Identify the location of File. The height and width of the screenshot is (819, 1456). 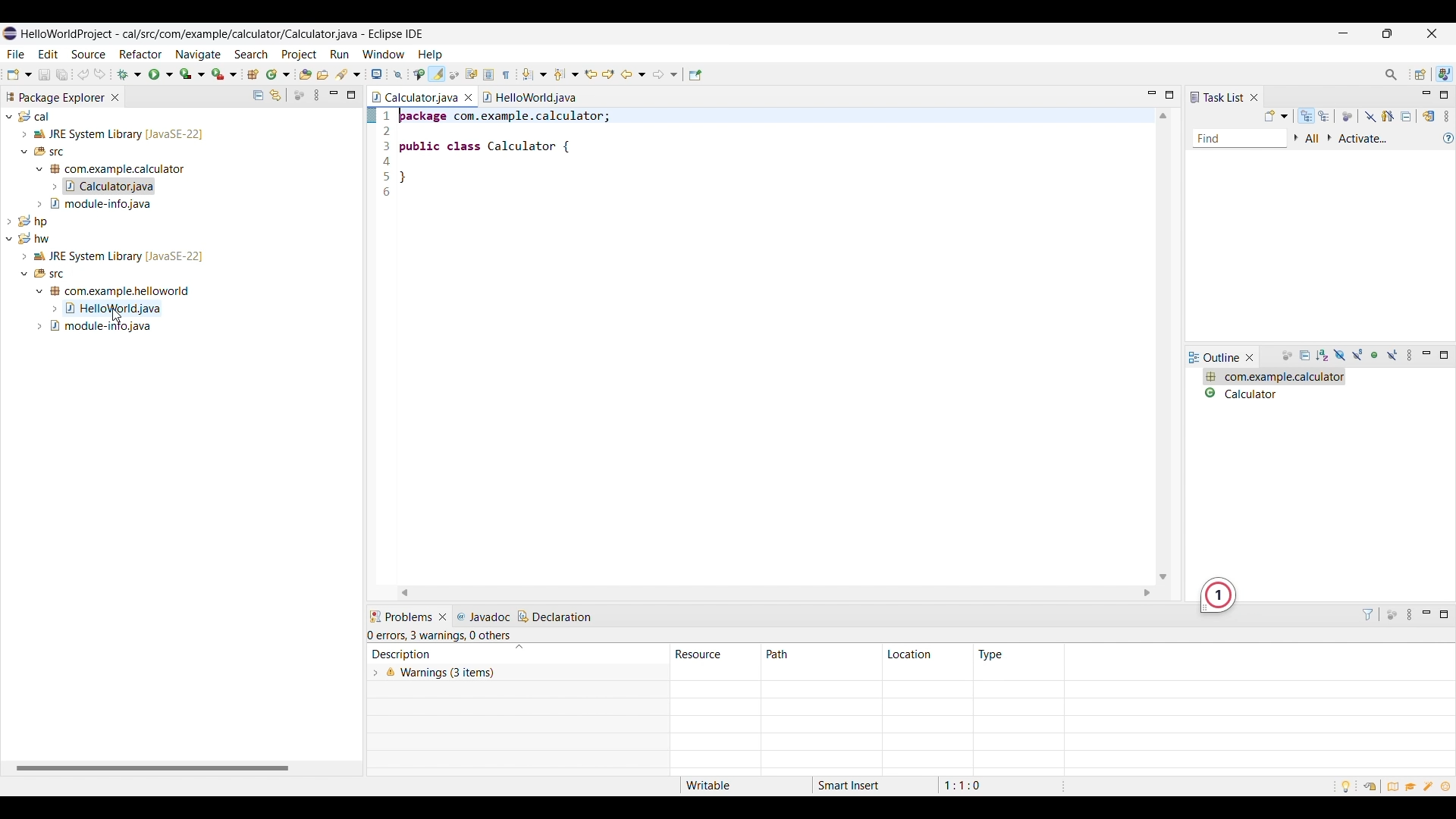
(16, 54).